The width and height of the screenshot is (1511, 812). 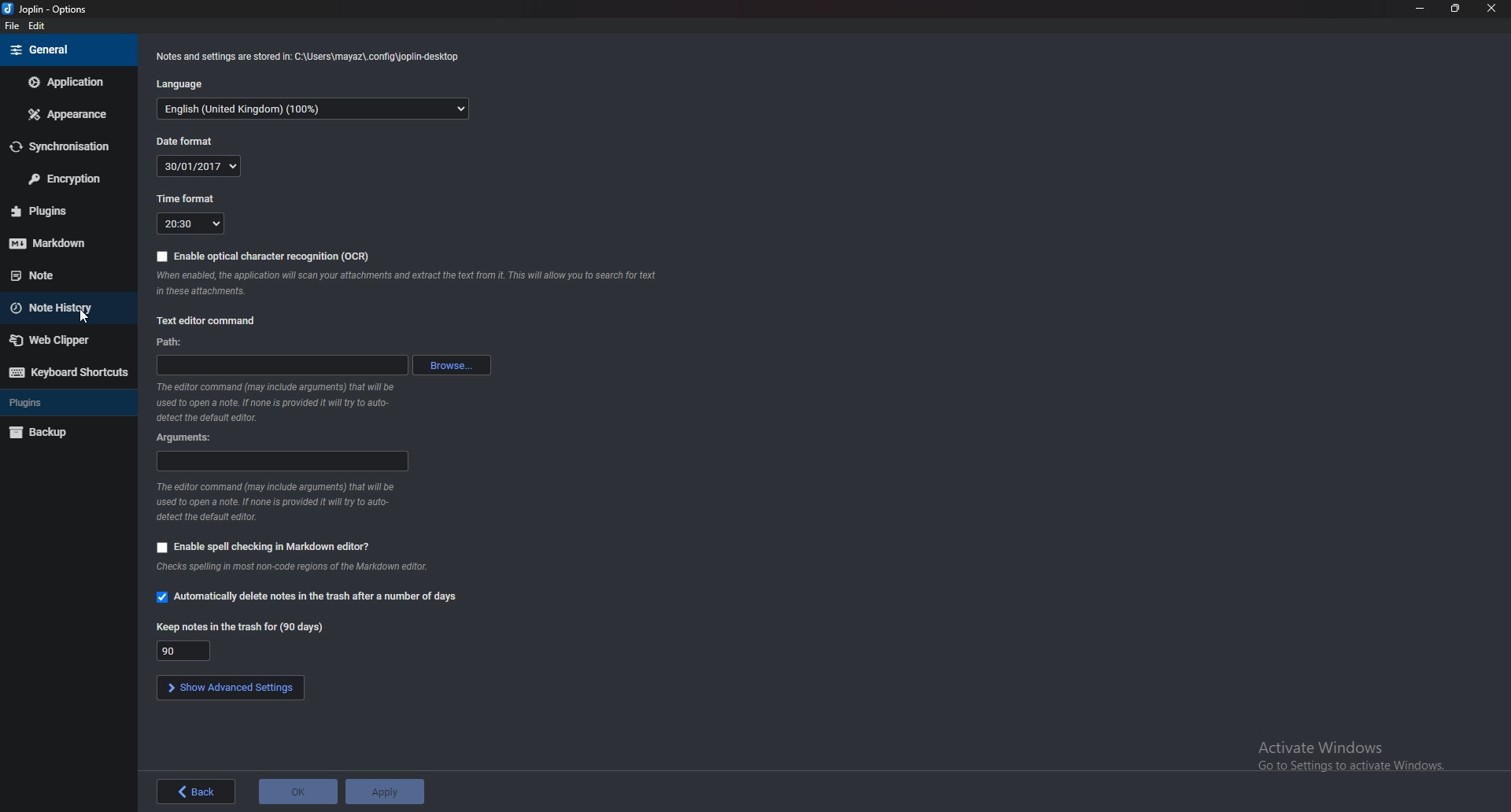 I want to click on Arguments, so click(x=187, y=437).